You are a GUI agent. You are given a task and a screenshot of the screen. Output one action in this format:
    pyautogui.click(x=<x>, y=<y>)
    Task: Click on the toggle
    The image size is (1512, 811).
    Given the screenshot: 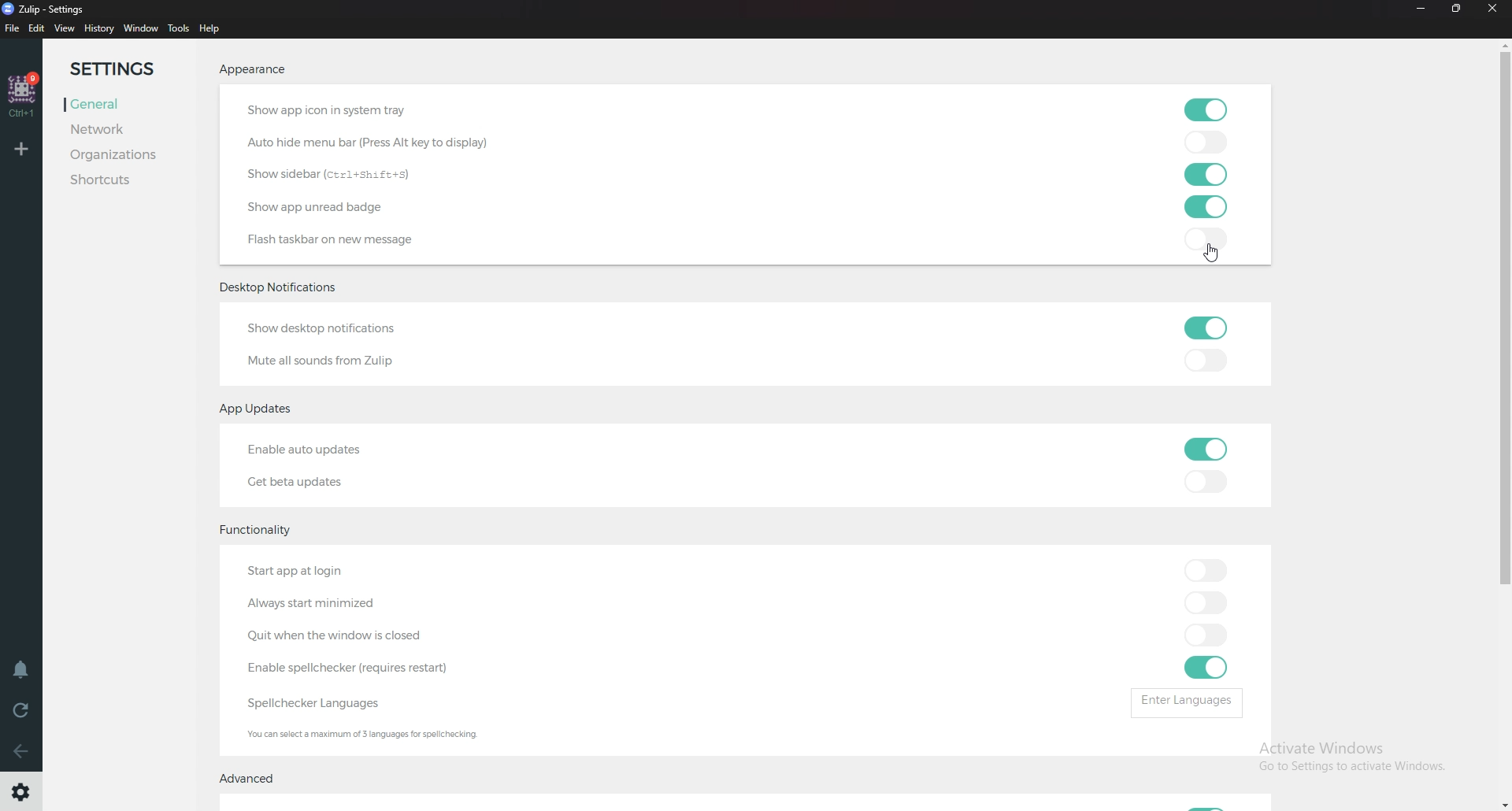 What is the action you would take?
    pyautogui.click(x=1205, y=327)
    